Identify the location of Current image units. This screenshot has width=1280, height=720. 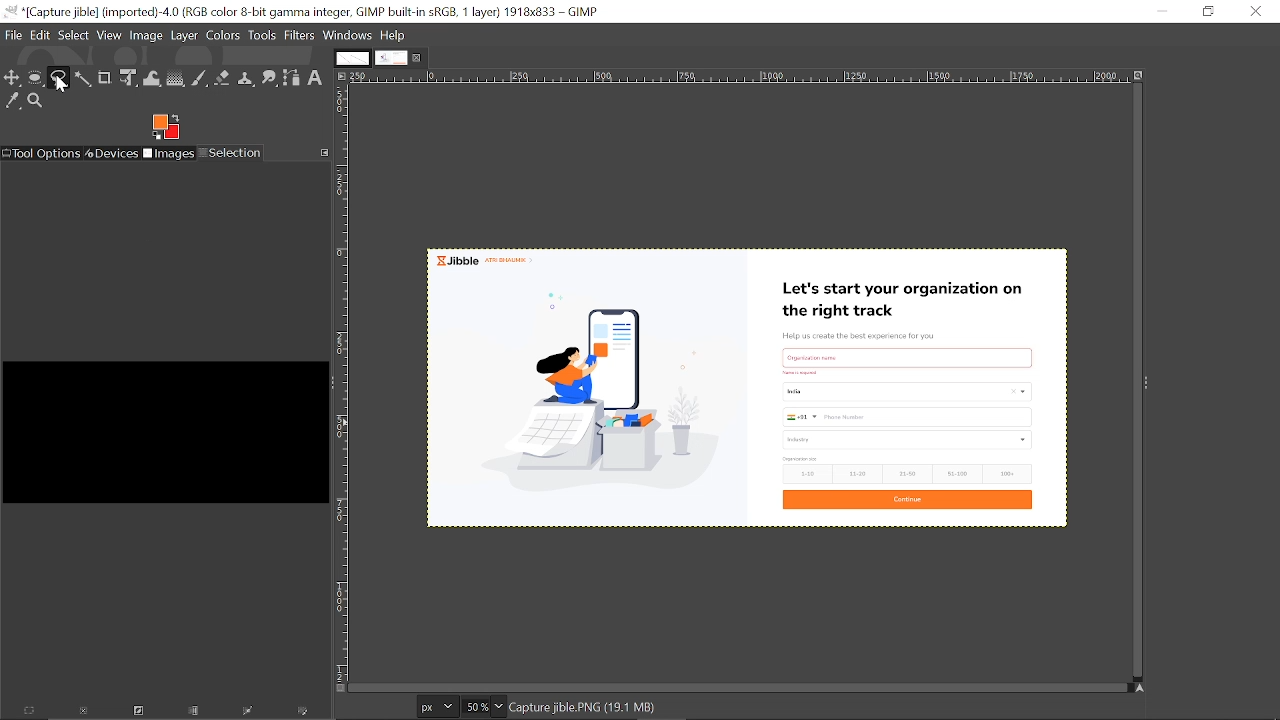
(436, 707).